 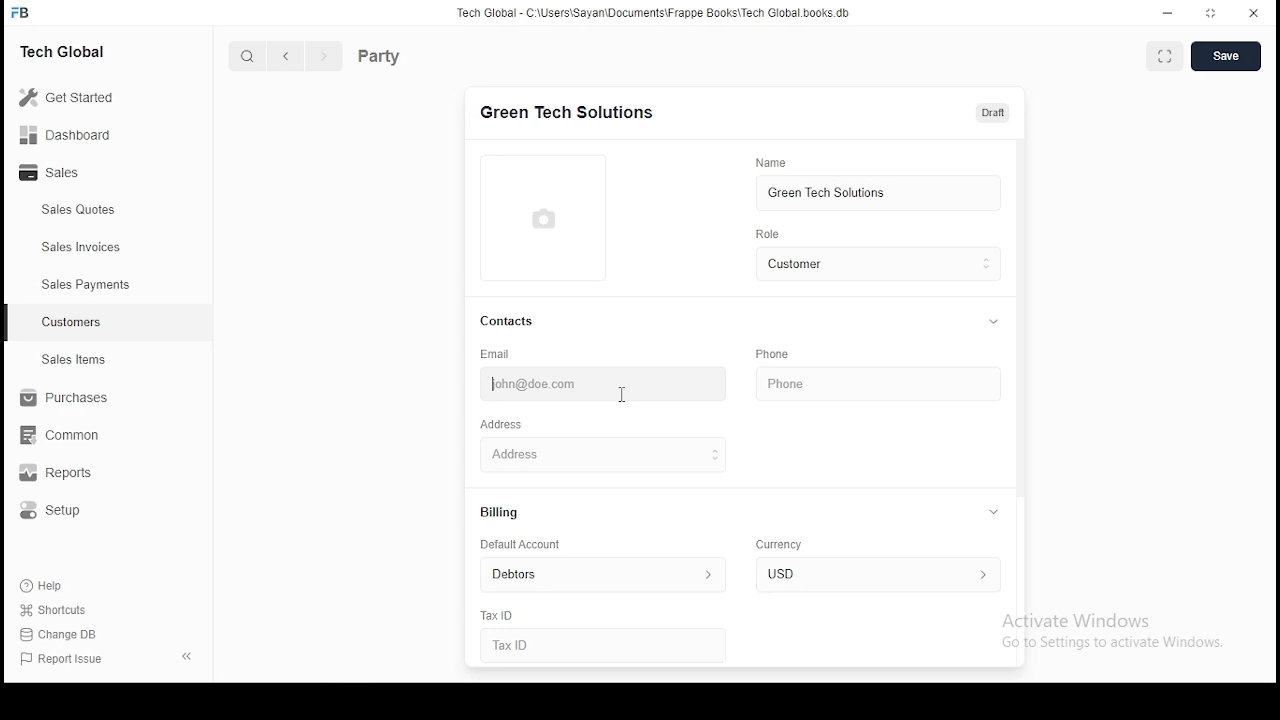 What do you see at coordinates (874, 263) in the screenshot?
I see `customer` at bounding box center [874, 263].